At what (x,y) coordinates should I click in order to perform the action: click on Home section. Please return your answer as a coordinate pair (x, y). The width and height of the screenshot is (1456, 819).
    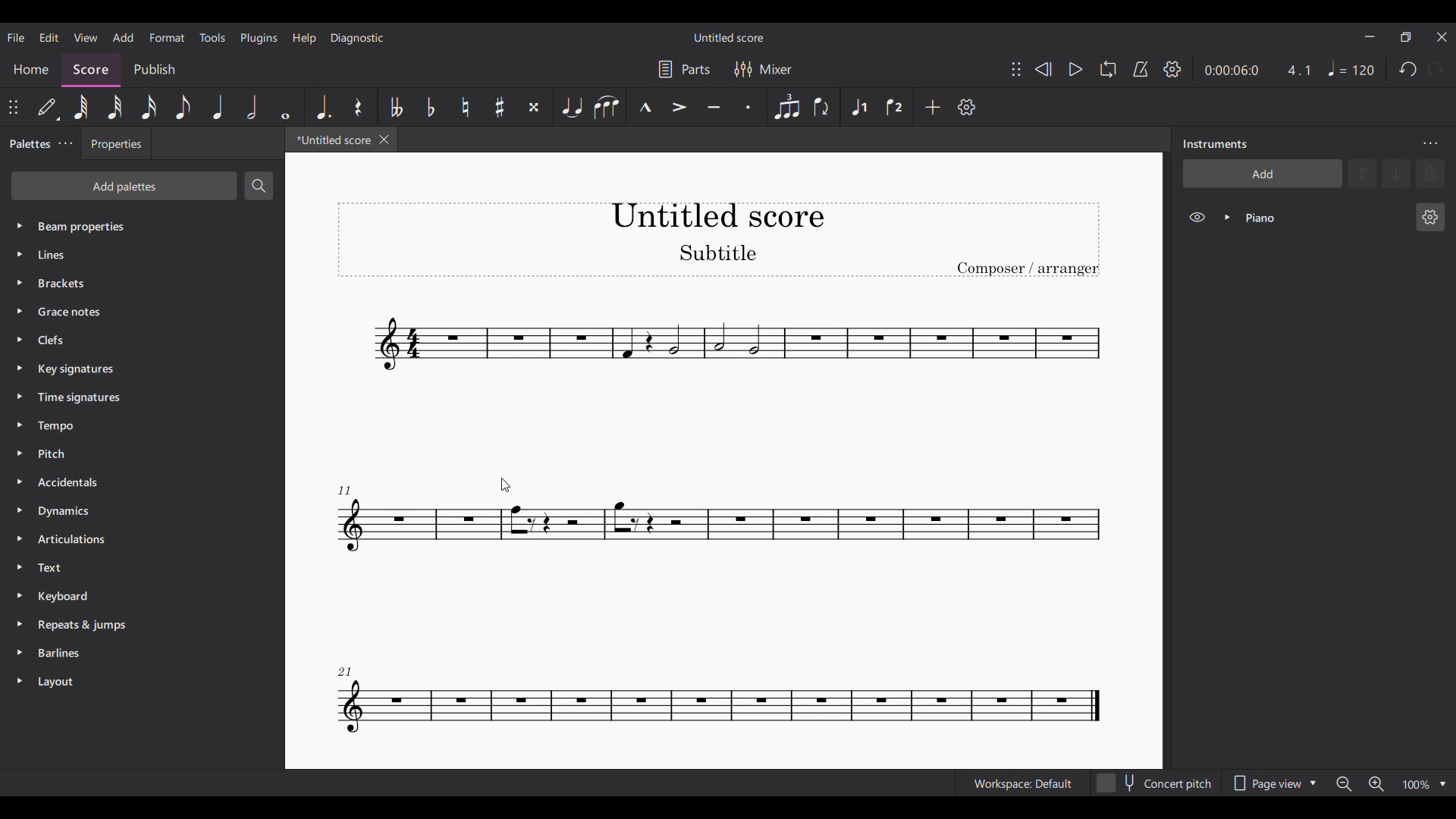
    Looking at the image, I should click on (31, 69).